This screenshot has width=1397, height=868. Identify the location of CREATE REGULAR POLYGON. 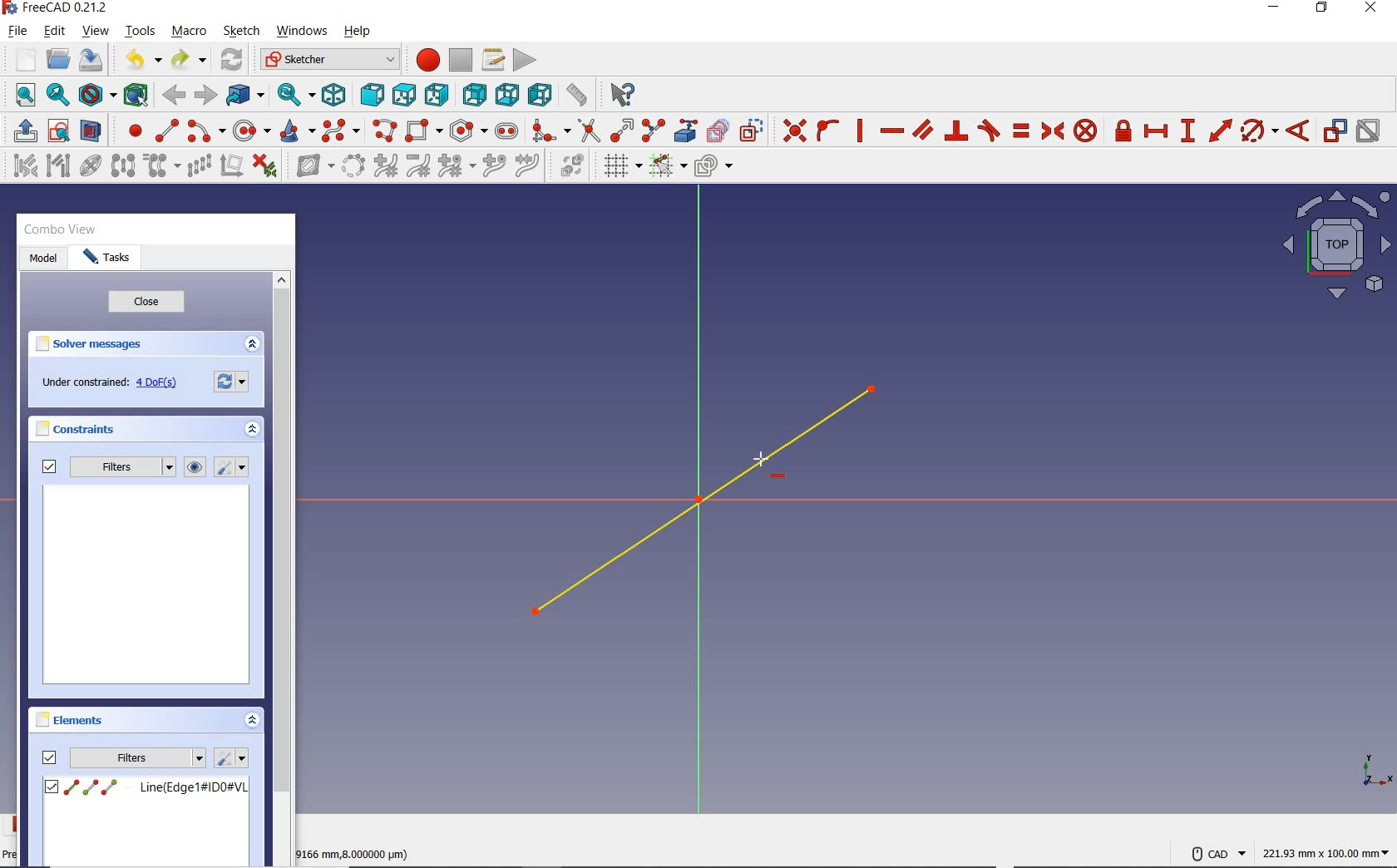
(468, 131).